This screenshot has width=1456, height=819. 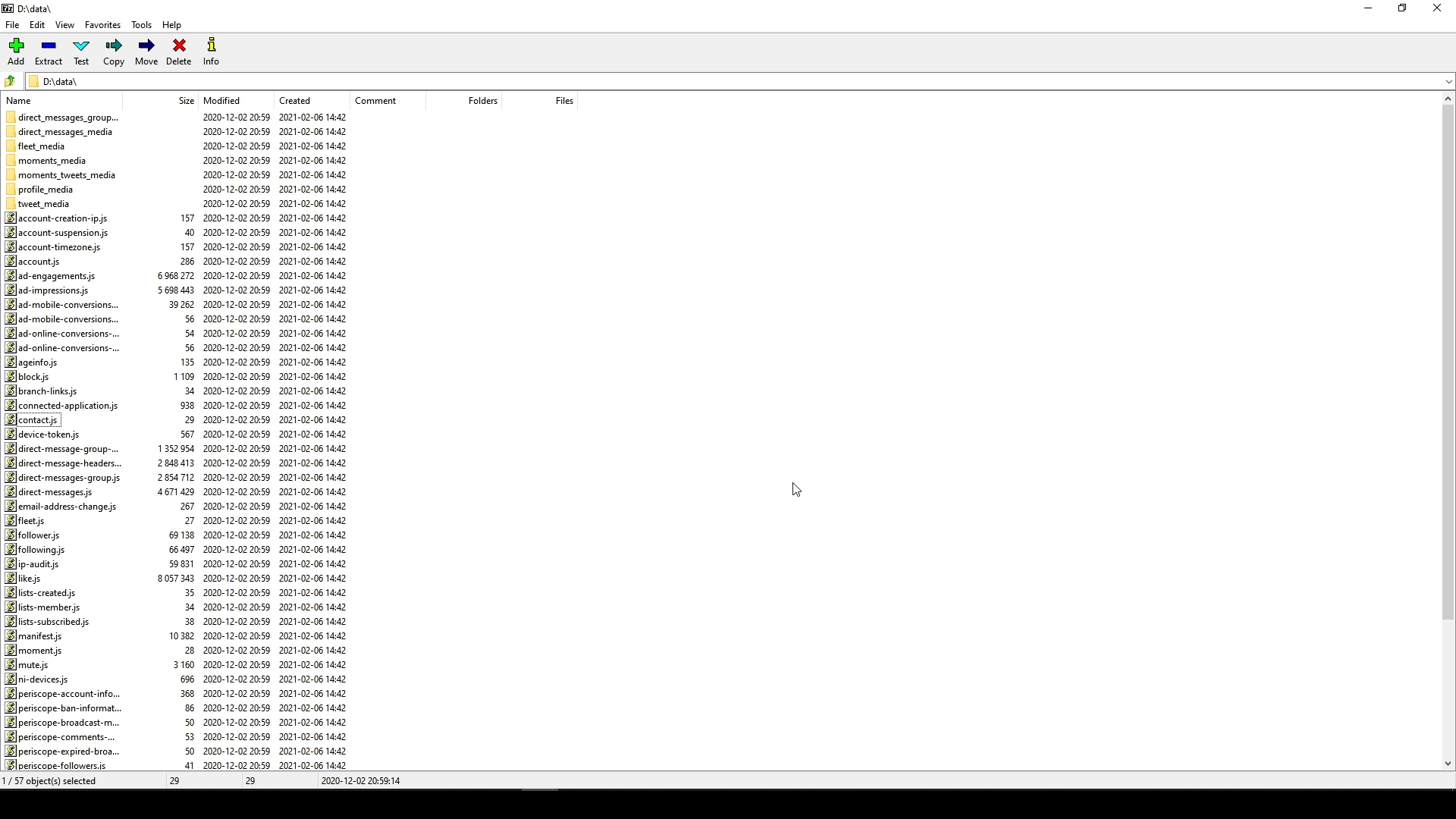 I want to click on Move, so click(x=148, y=52).